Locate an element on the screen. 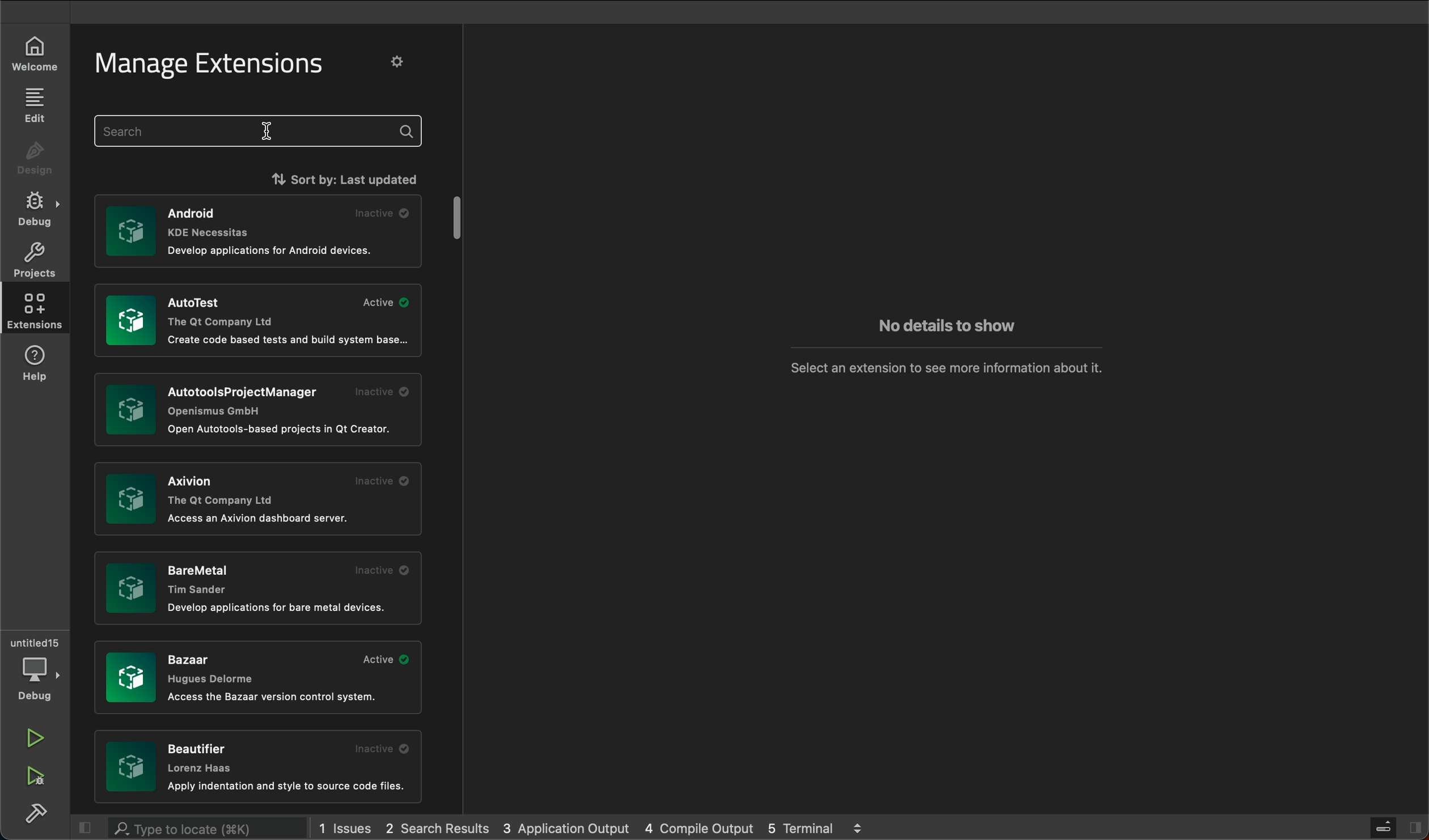 The image size is (1429, 840). inactive is located at coordinates (384, 213).